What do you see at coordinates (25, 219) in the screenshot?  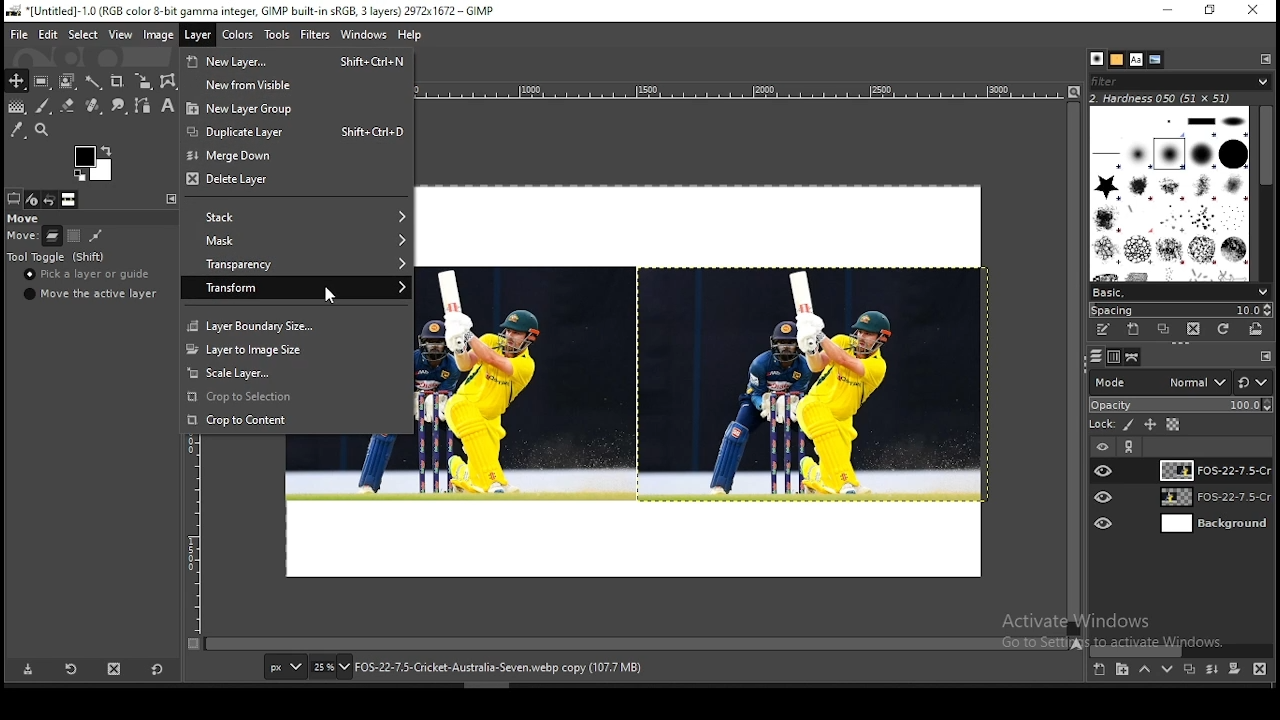 I see `move` at bounding box center [25, 219].